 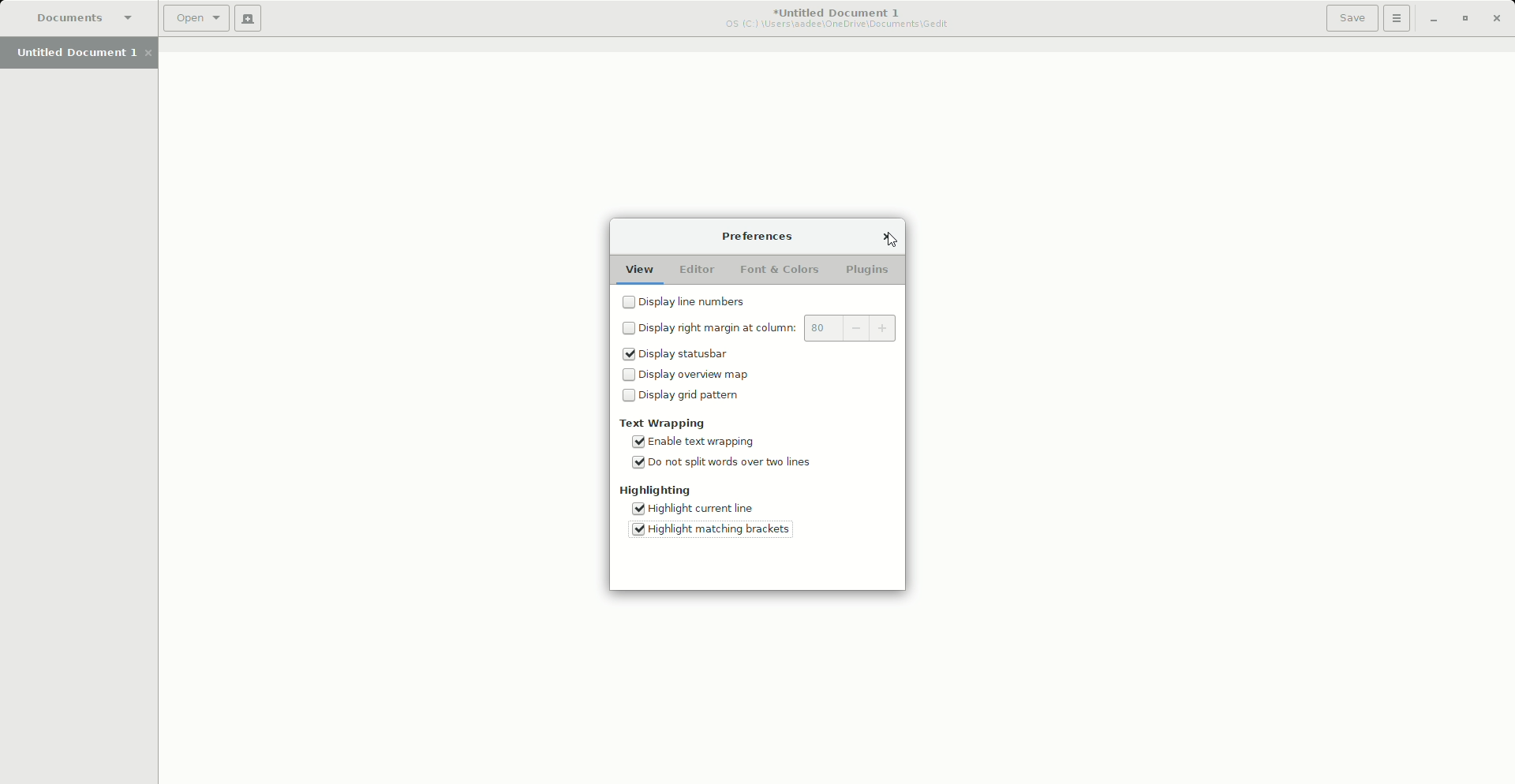 I want to click on Untitled Document 1, so click(x=79, y=54).